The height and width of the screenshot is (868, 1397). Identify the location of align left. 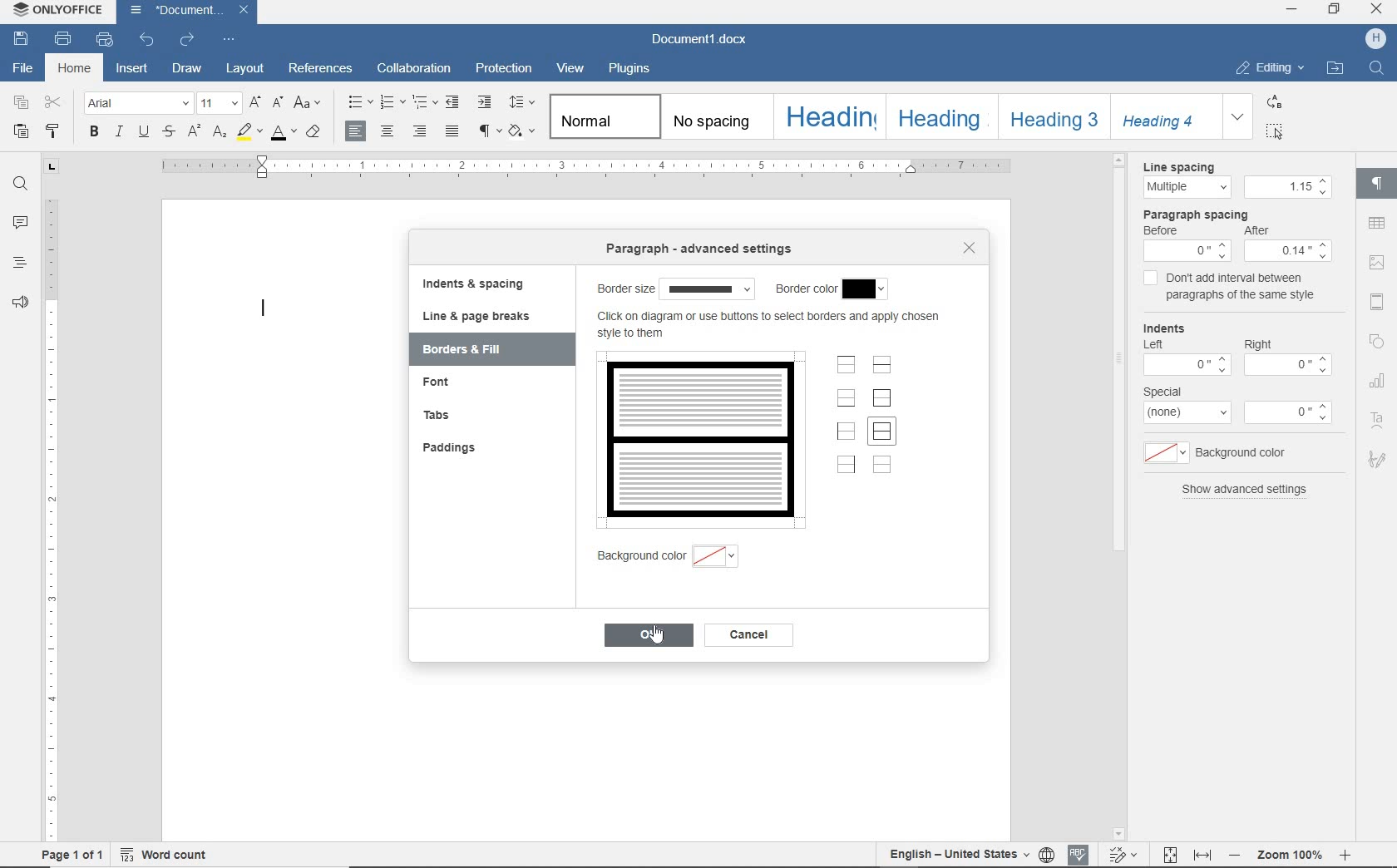
(357, 132).